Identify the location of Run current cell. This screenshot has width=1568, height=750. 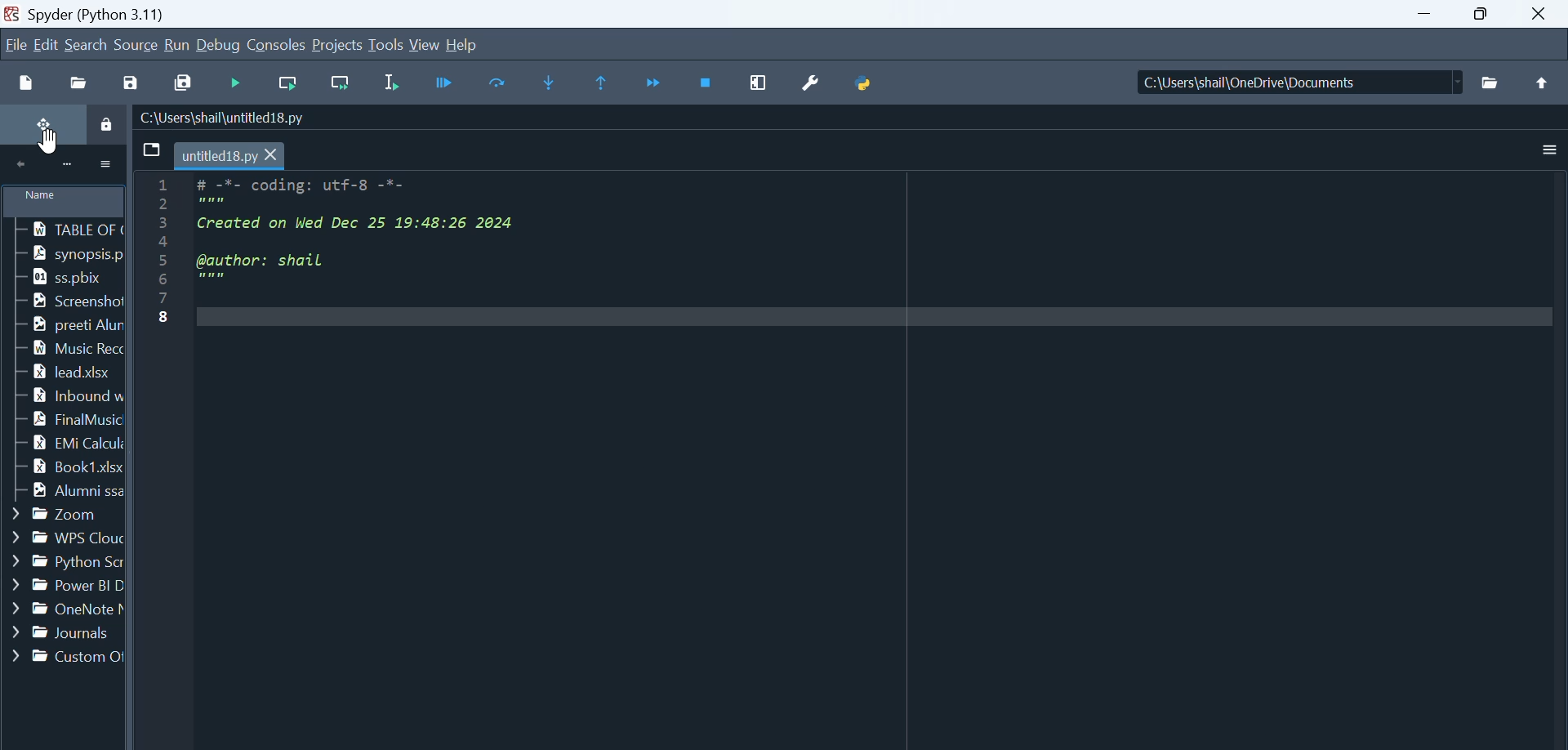
(285, 84).